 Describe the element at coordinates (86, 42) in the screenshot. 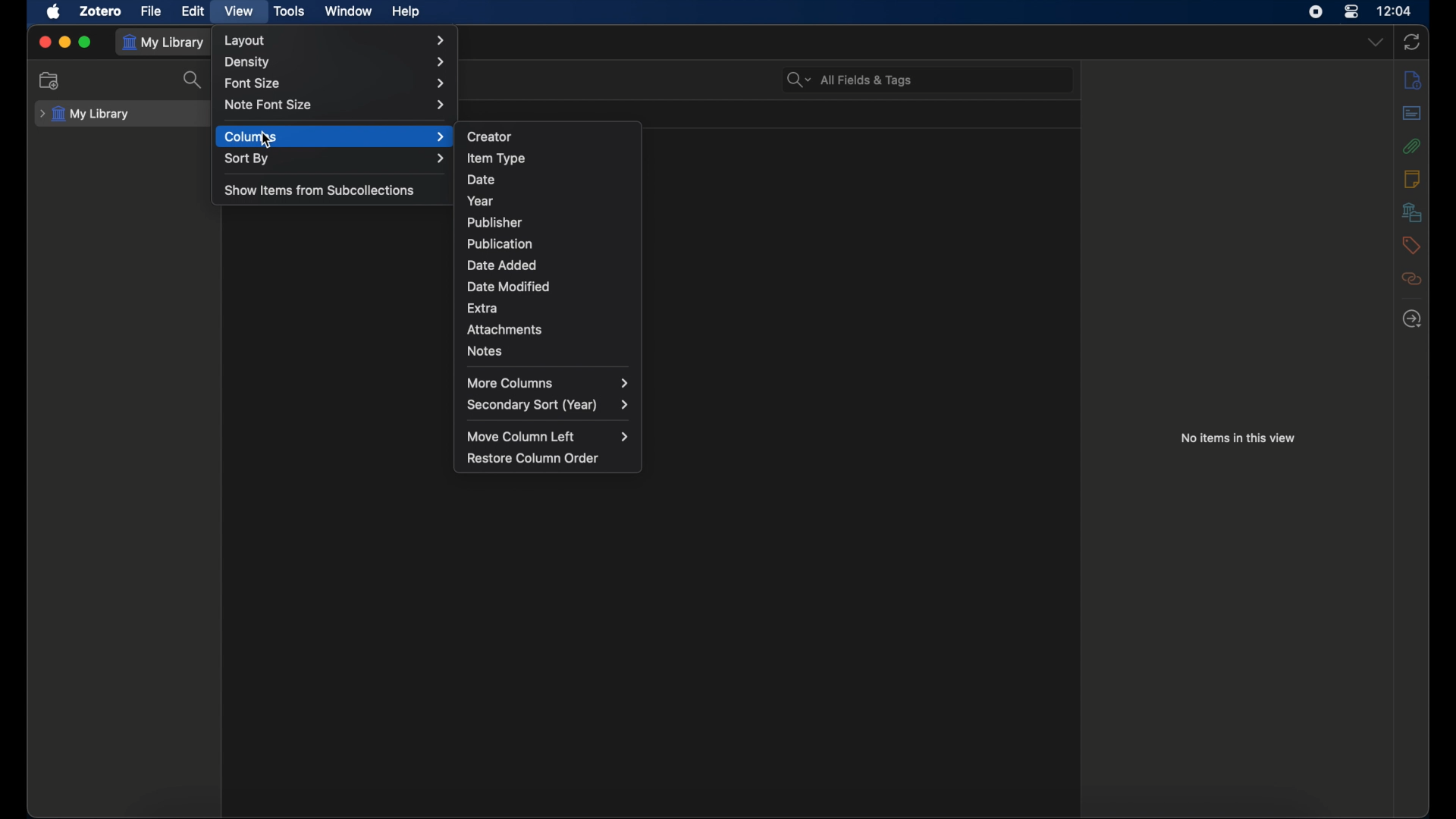

I see `maximize` at that location.